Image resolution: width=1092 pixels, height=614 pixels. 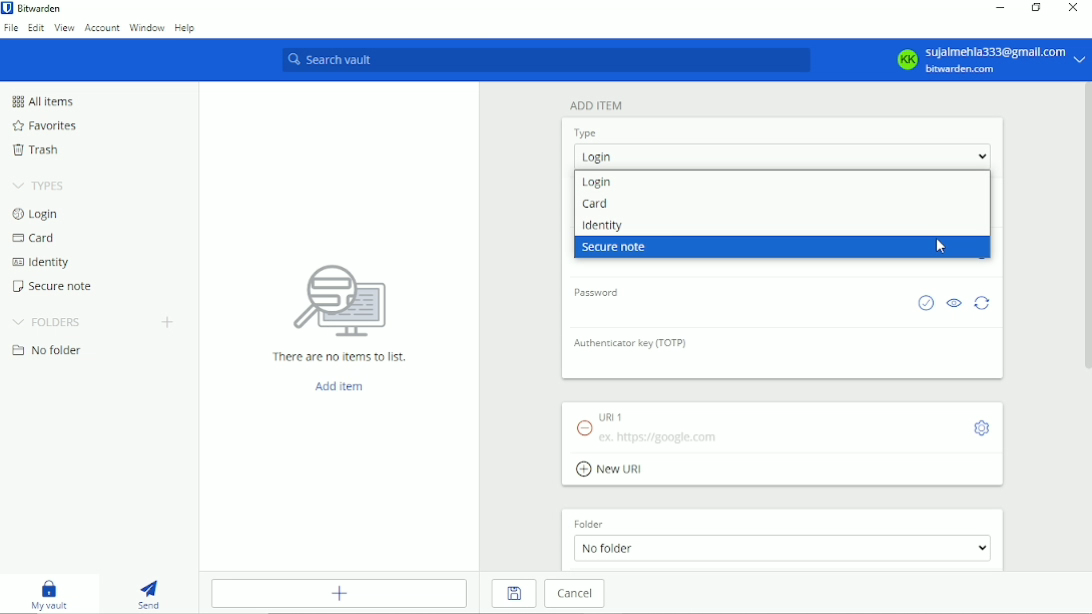 I want to click on Type, so click(x=588, y=132).